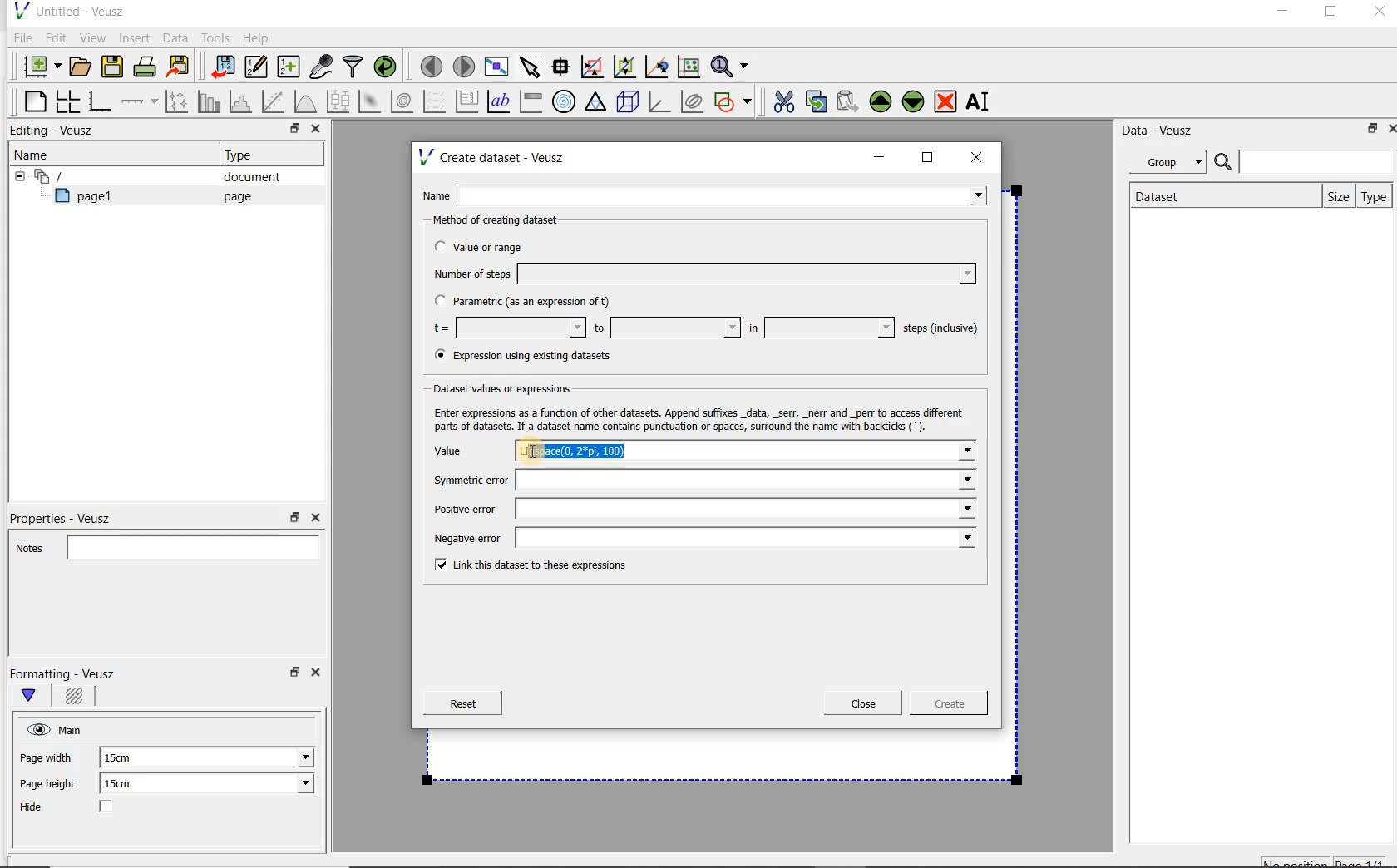 The height and width of the screenshot is (868, 1397). Describe the element at coordinates (660, 103) in the screenshot. I see `3d graph` at that location.